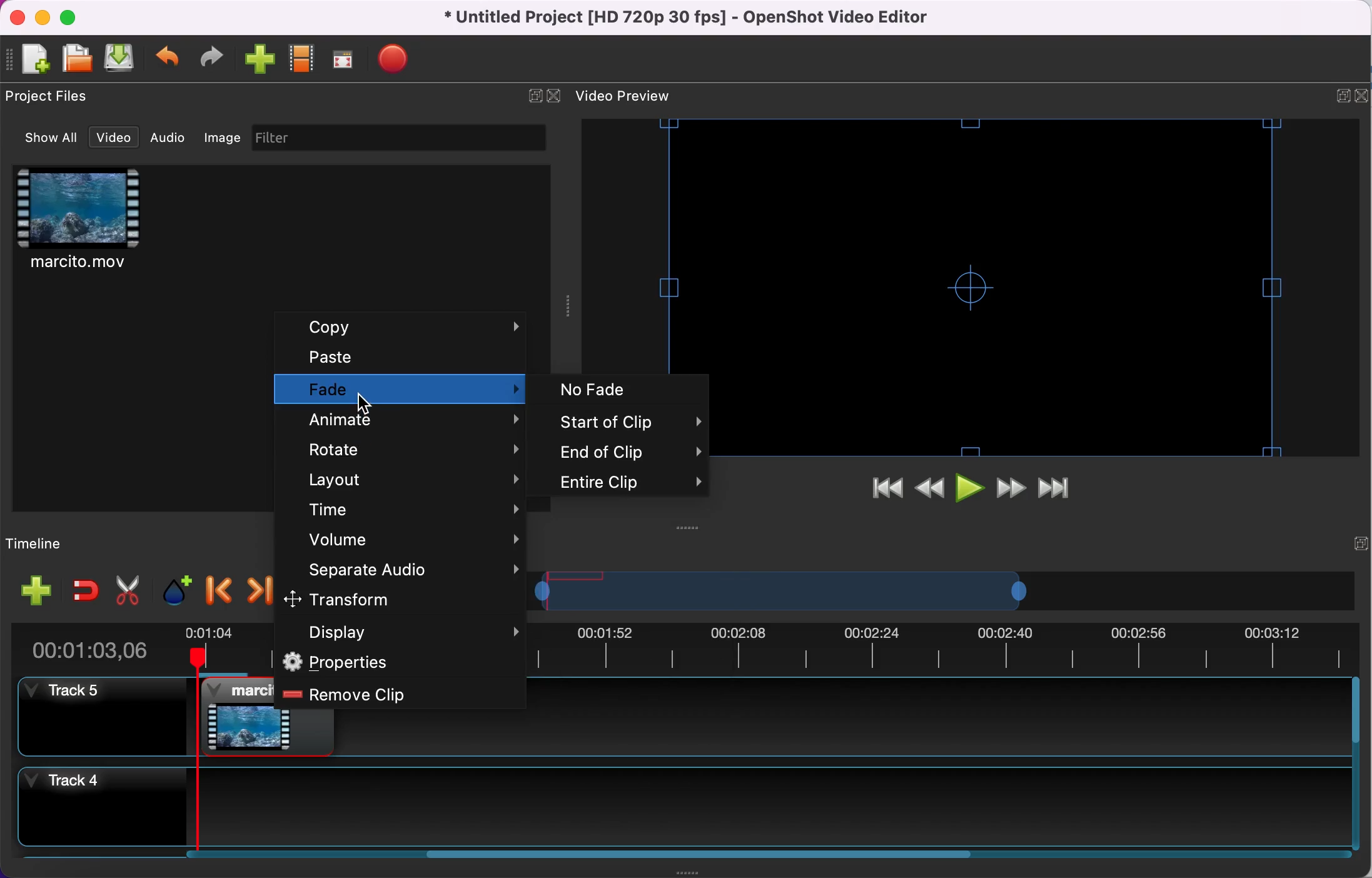  Describe the element at coordinates (402, 632) in the screenshot. I see `display` at that location.